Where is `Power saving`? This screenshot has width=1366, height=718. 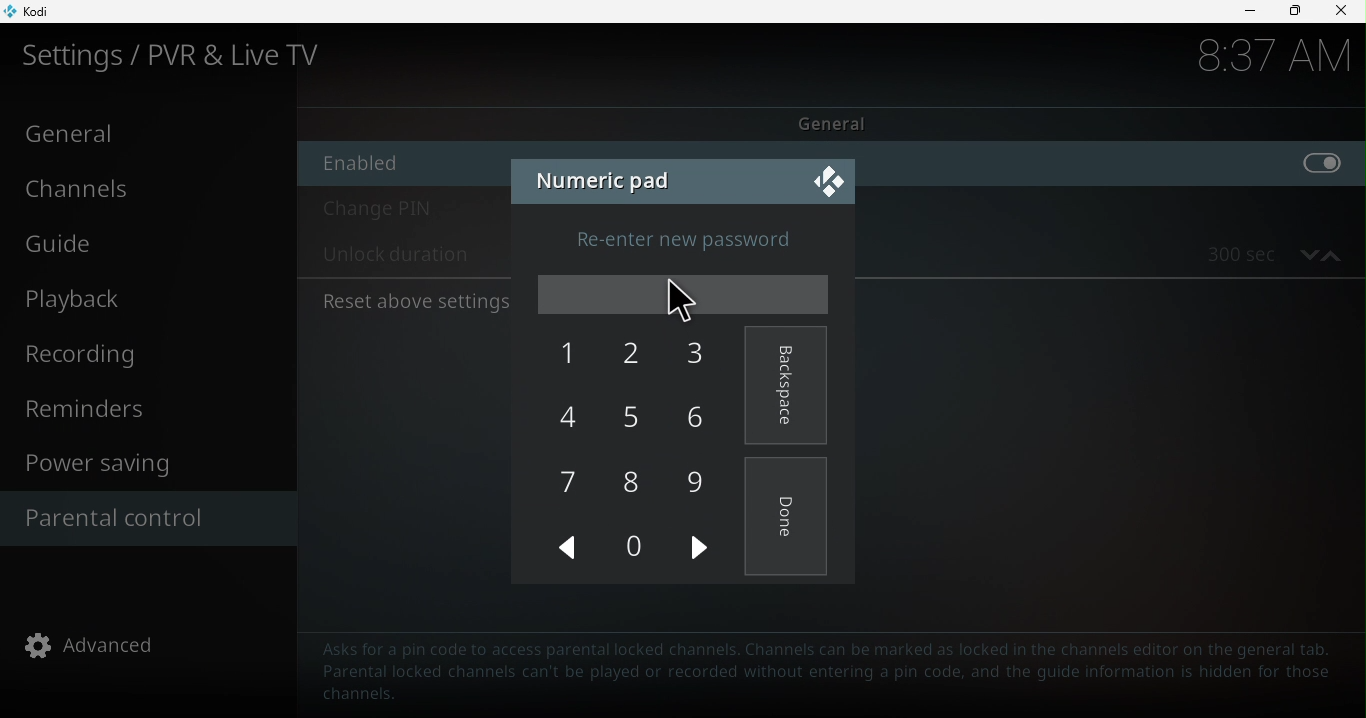 Power saving is located at coordinates (149, 464).